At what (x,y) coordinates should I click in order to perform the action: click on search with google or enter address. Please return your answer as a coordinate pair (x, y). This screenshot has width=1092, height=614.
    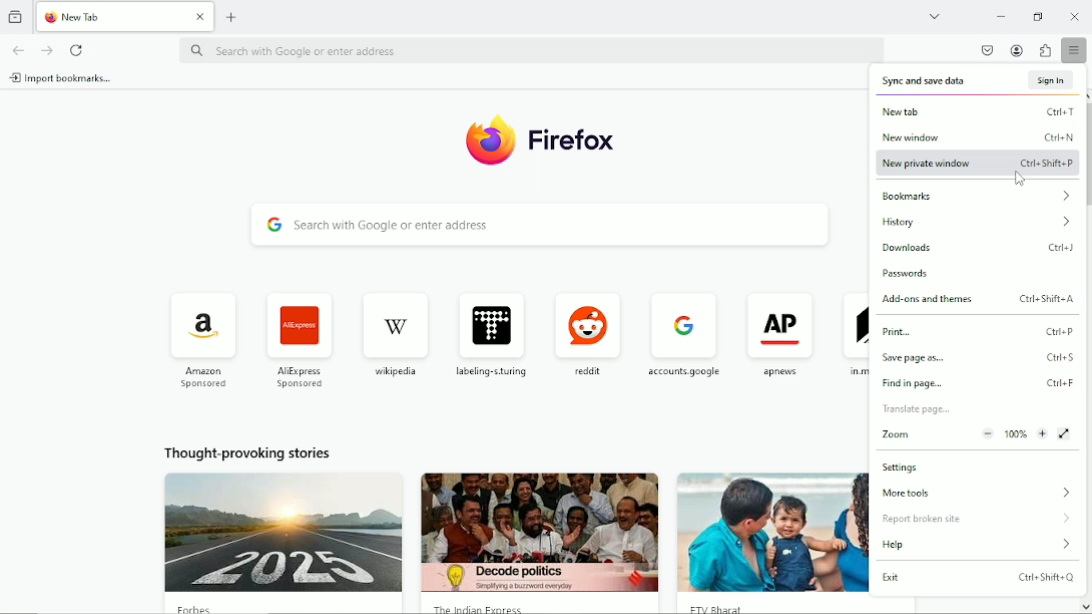
    Looking at the image, I should click on (542, 224).